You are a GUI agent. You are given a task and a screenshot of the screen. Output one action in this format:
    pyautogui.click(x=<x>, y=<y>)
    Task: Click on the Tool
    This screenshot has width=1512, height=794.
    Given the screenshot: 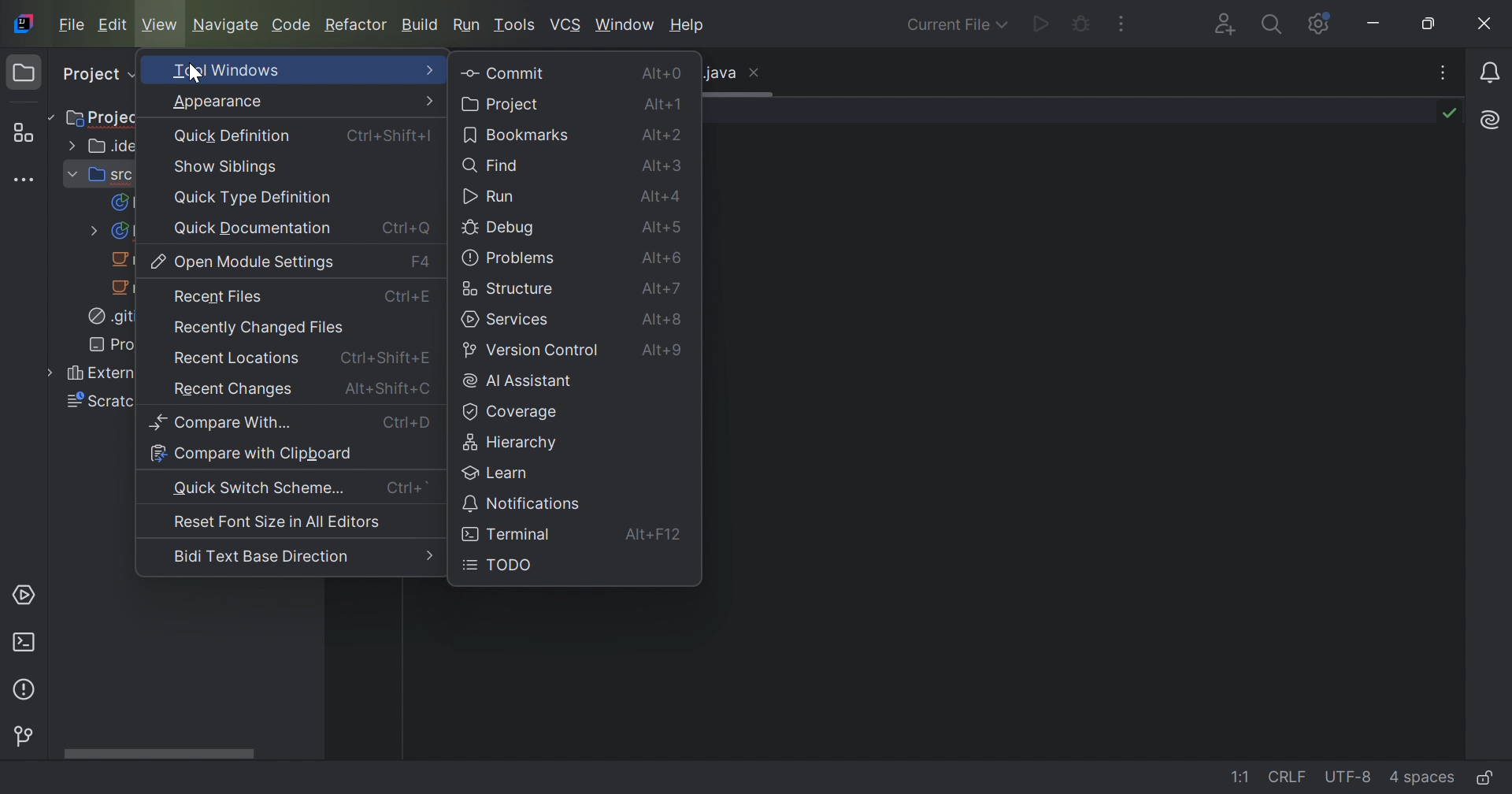 What is the action you would take?
    pyautogui.click(x=516, y=26)
    